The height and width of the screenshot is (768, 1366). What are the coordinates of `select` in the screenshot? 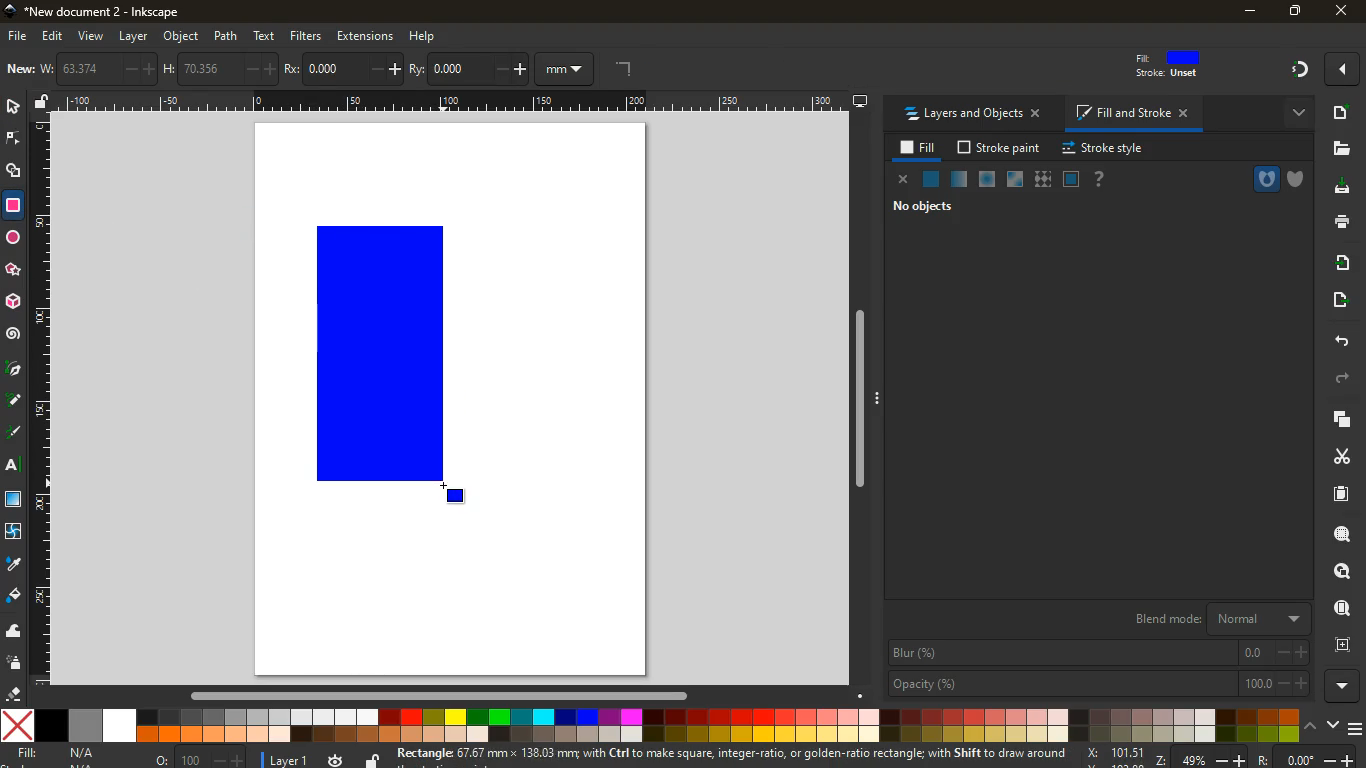 It's located at (10, 108).